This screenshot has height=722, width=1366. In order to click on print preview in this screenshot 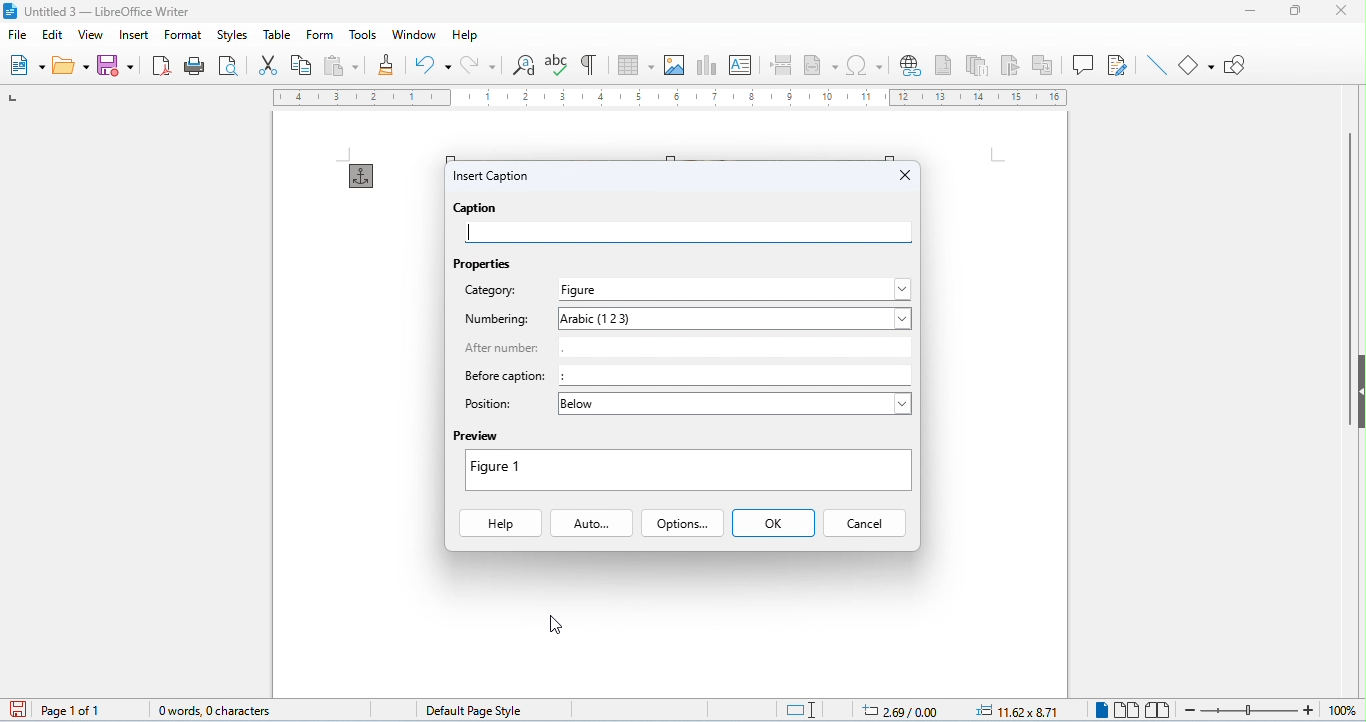, I will do `click(229, 65)`.